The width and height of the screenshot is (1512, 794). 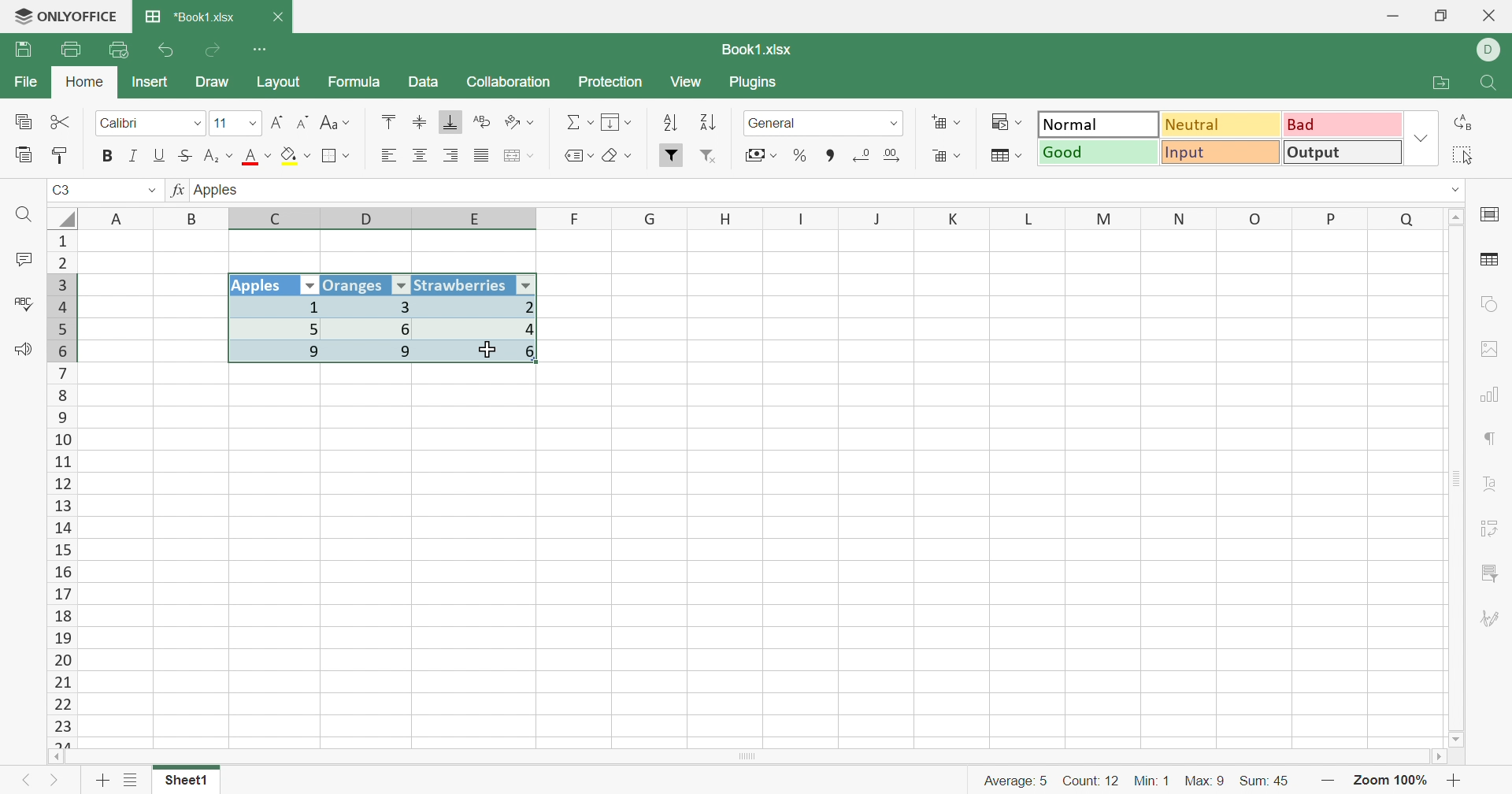 I want to click on Font color, so click(x=259, y=158).